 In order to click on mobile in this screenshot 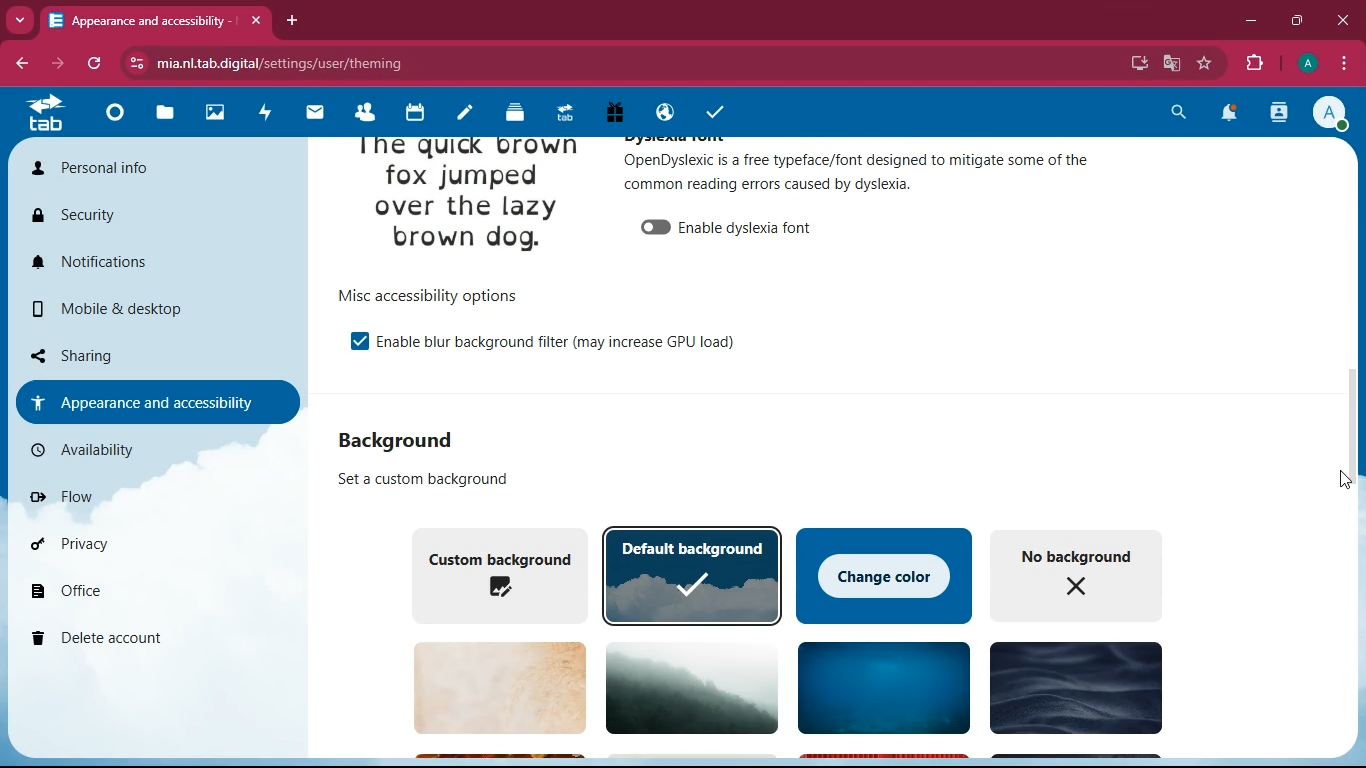, I will do `click(155, 314)`.